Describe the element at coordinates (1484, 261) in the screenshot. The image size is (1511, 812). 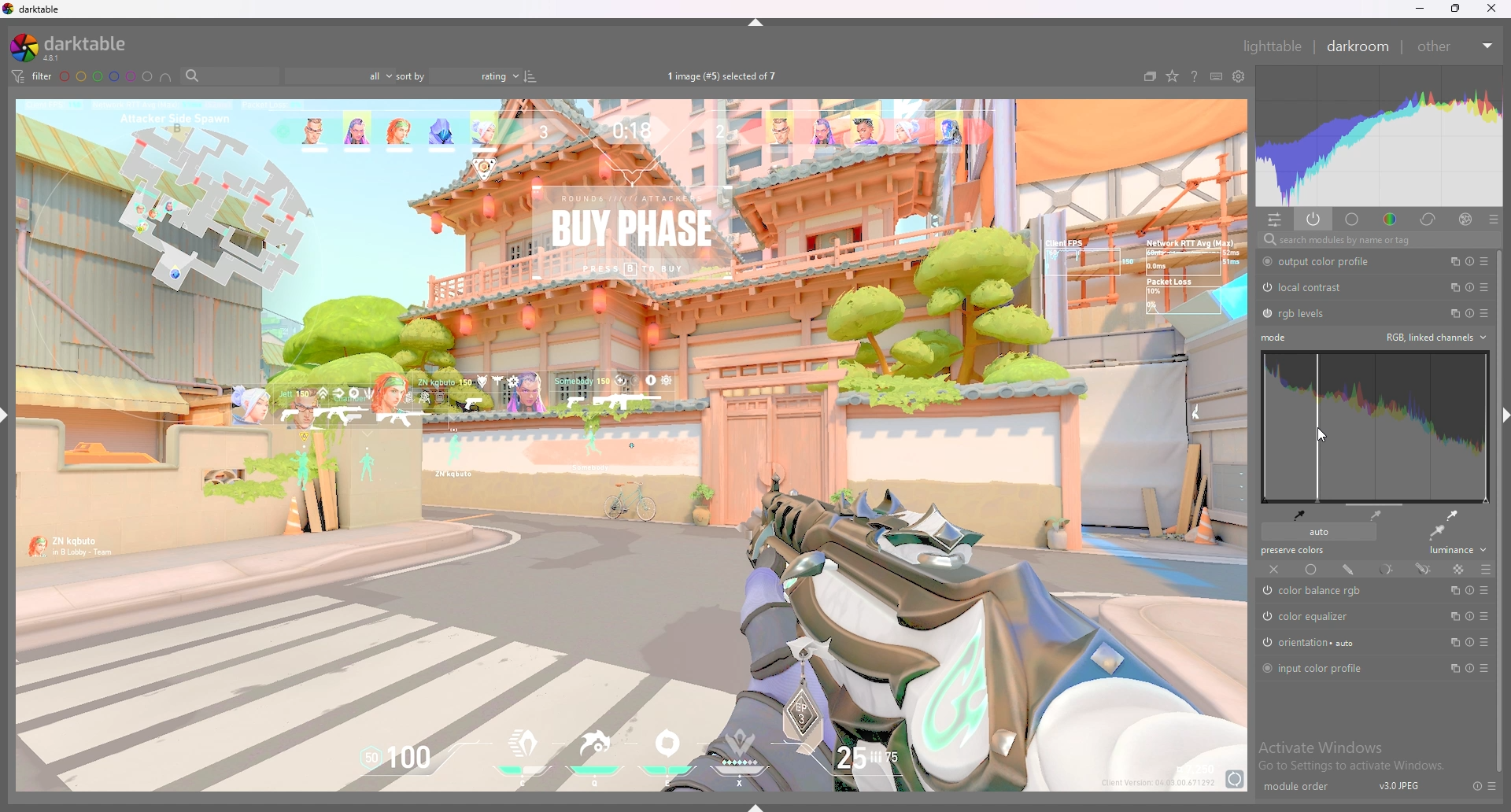
I see `presets` at that location.